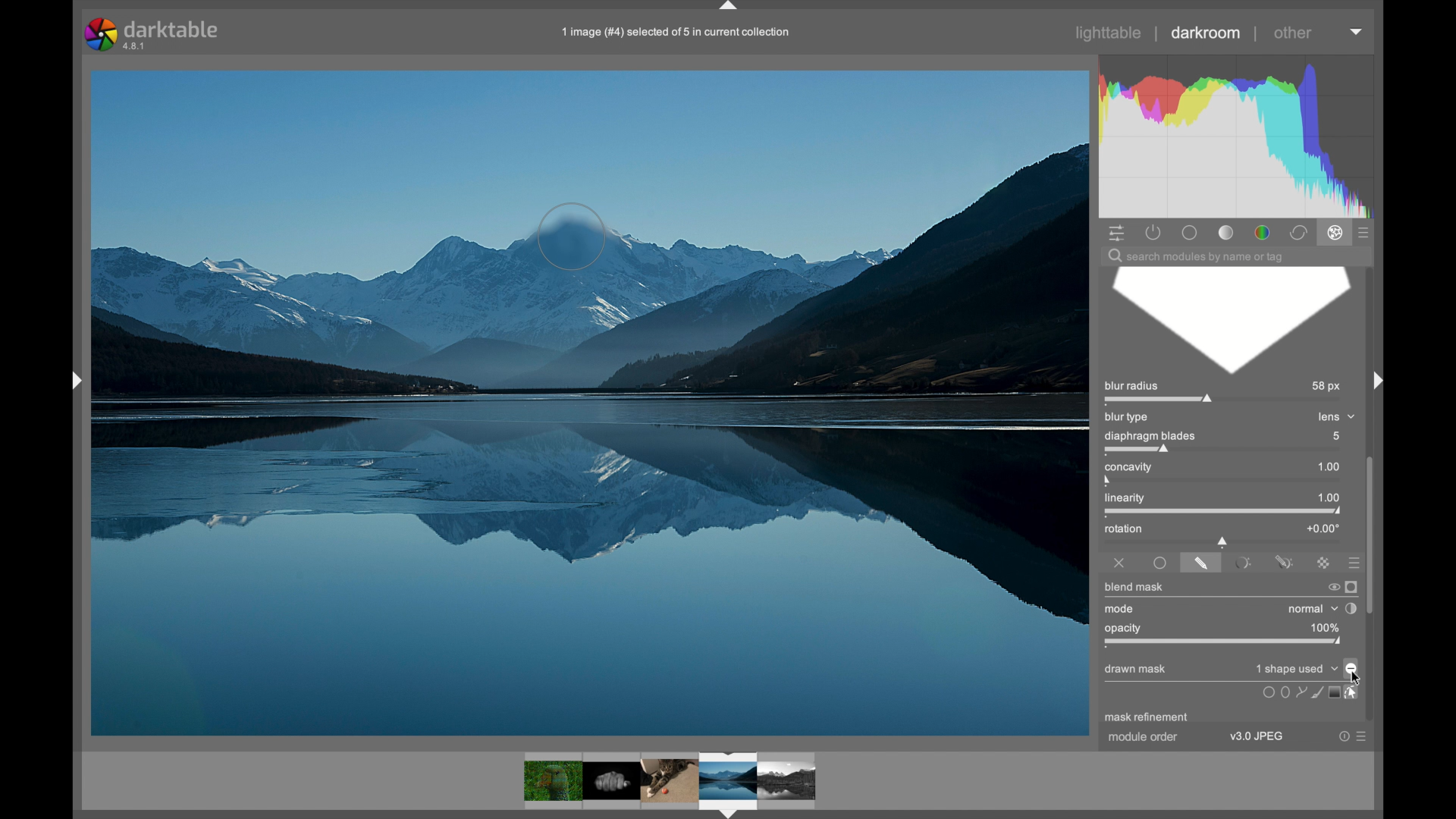 The image size is (1456, 819). Describe the element at coordinates (1365, 232) in the screenshot. I see `presets` at that location.